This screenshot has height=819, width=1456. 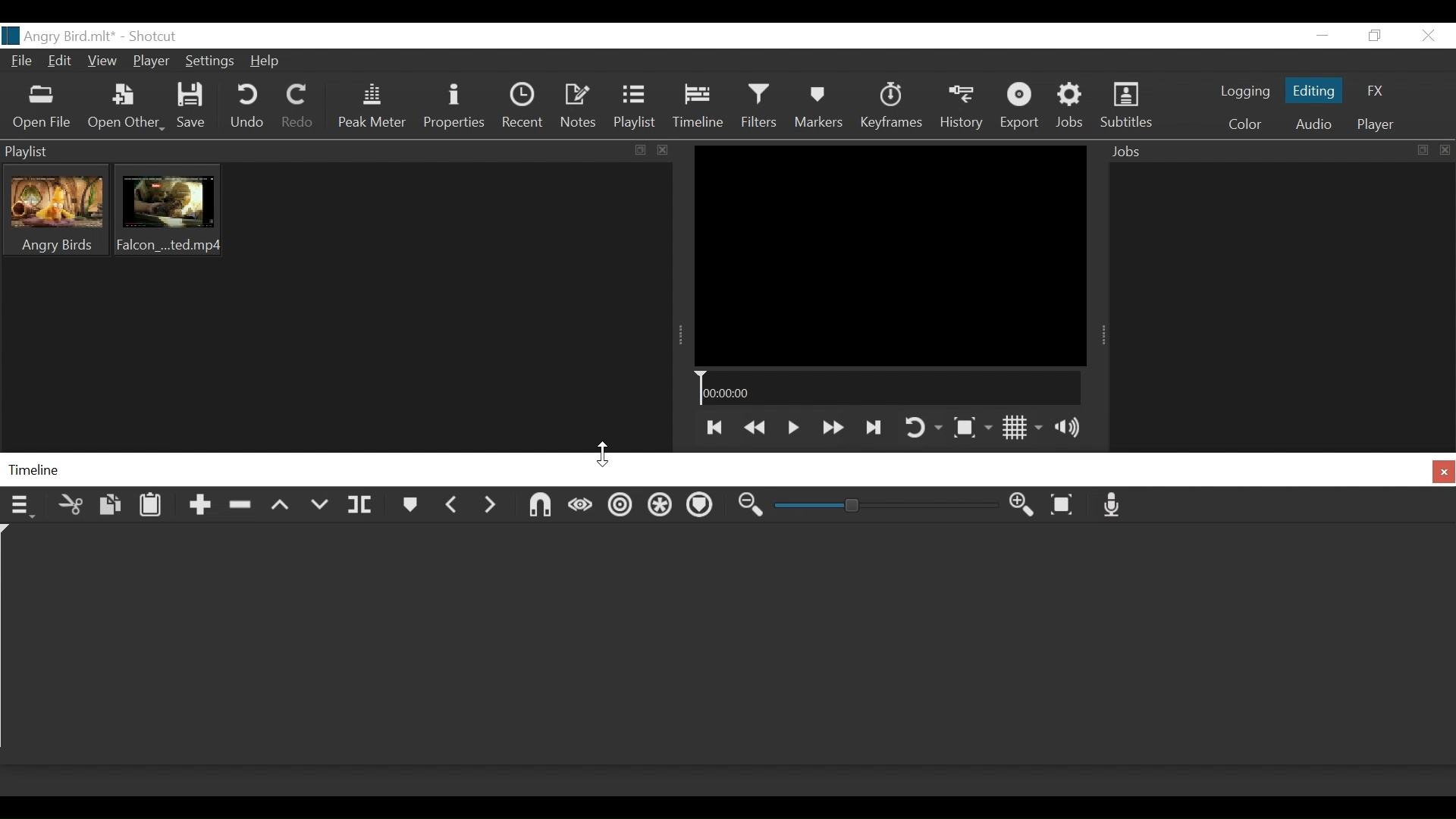 I want to click on Timeline menu, so click(x=22, y=507).